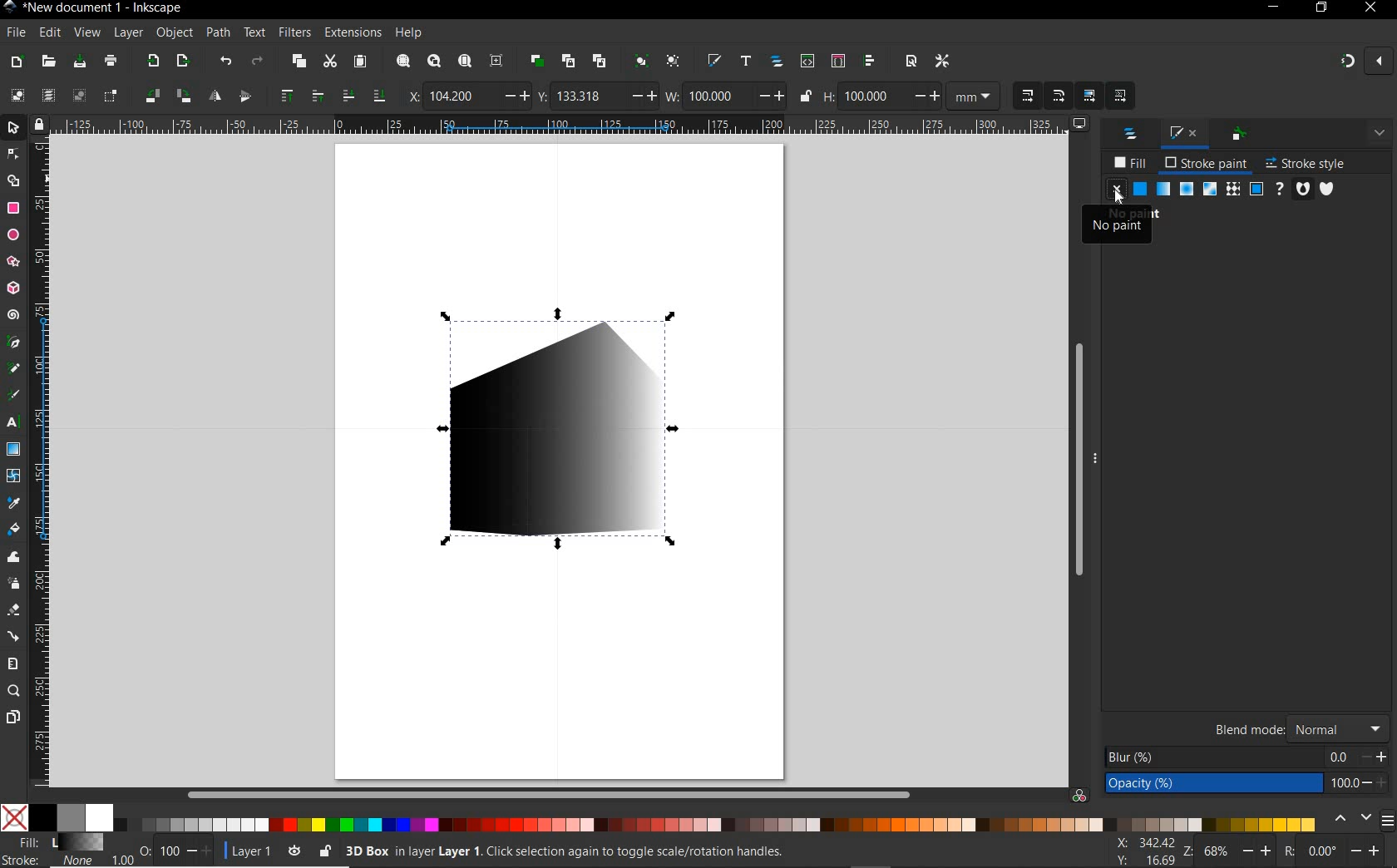  I want to click on 1.00, so click(121, 861).